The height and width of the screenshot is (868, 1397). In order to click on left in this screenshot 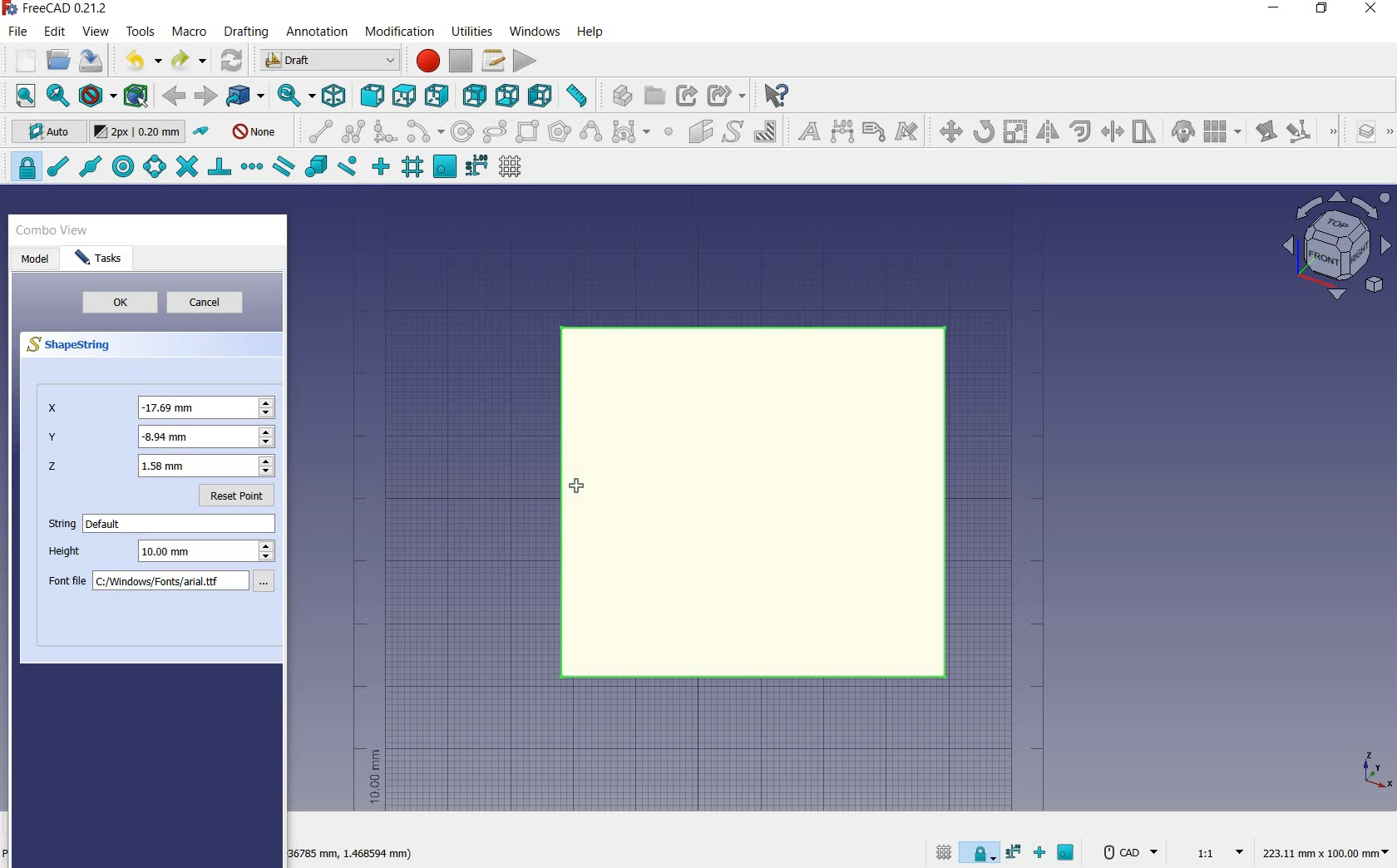, I will do `click(544, 96)`.